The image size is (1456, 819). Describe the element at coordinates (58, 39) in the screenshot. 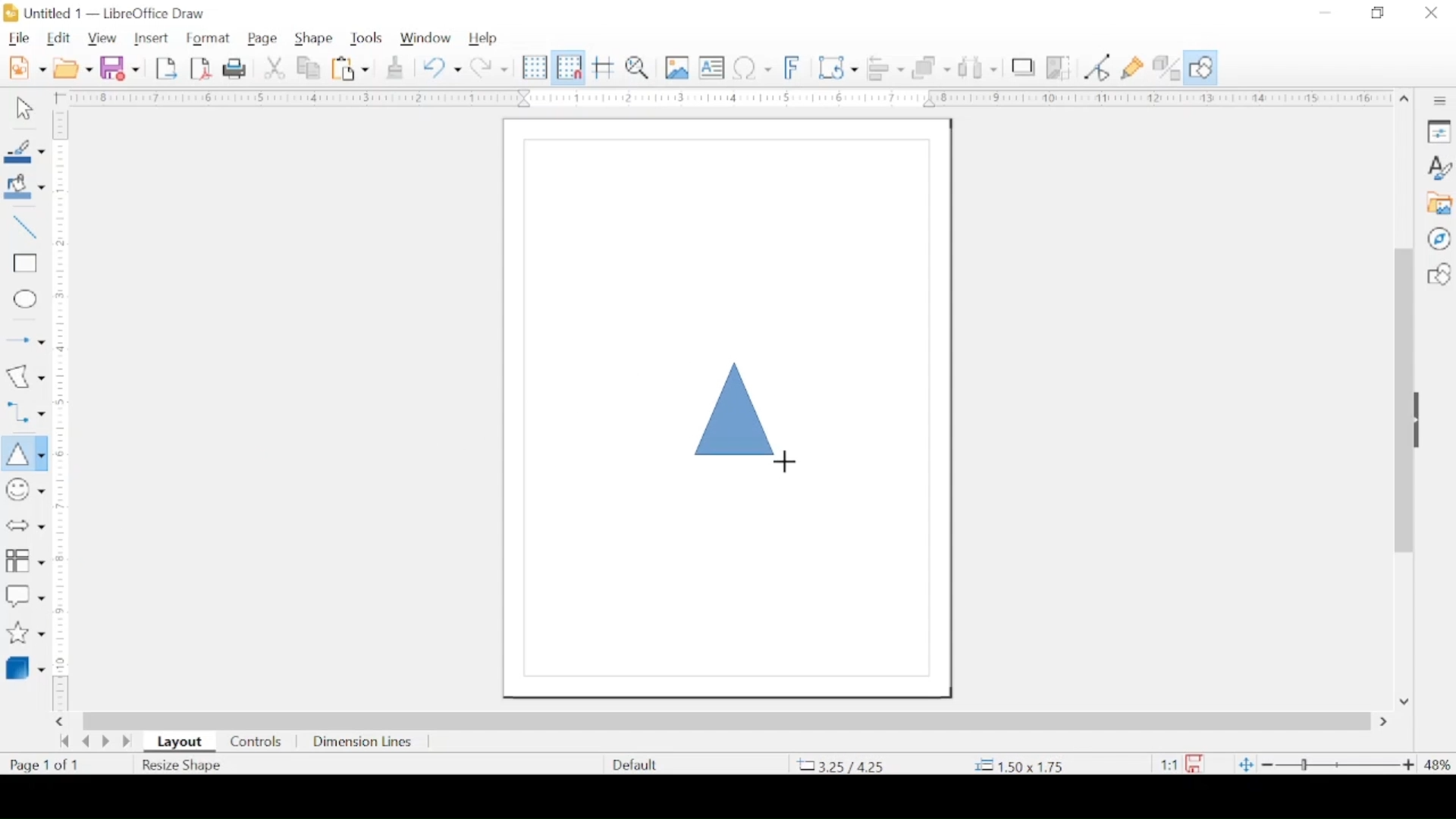

I see `edit` at that location.